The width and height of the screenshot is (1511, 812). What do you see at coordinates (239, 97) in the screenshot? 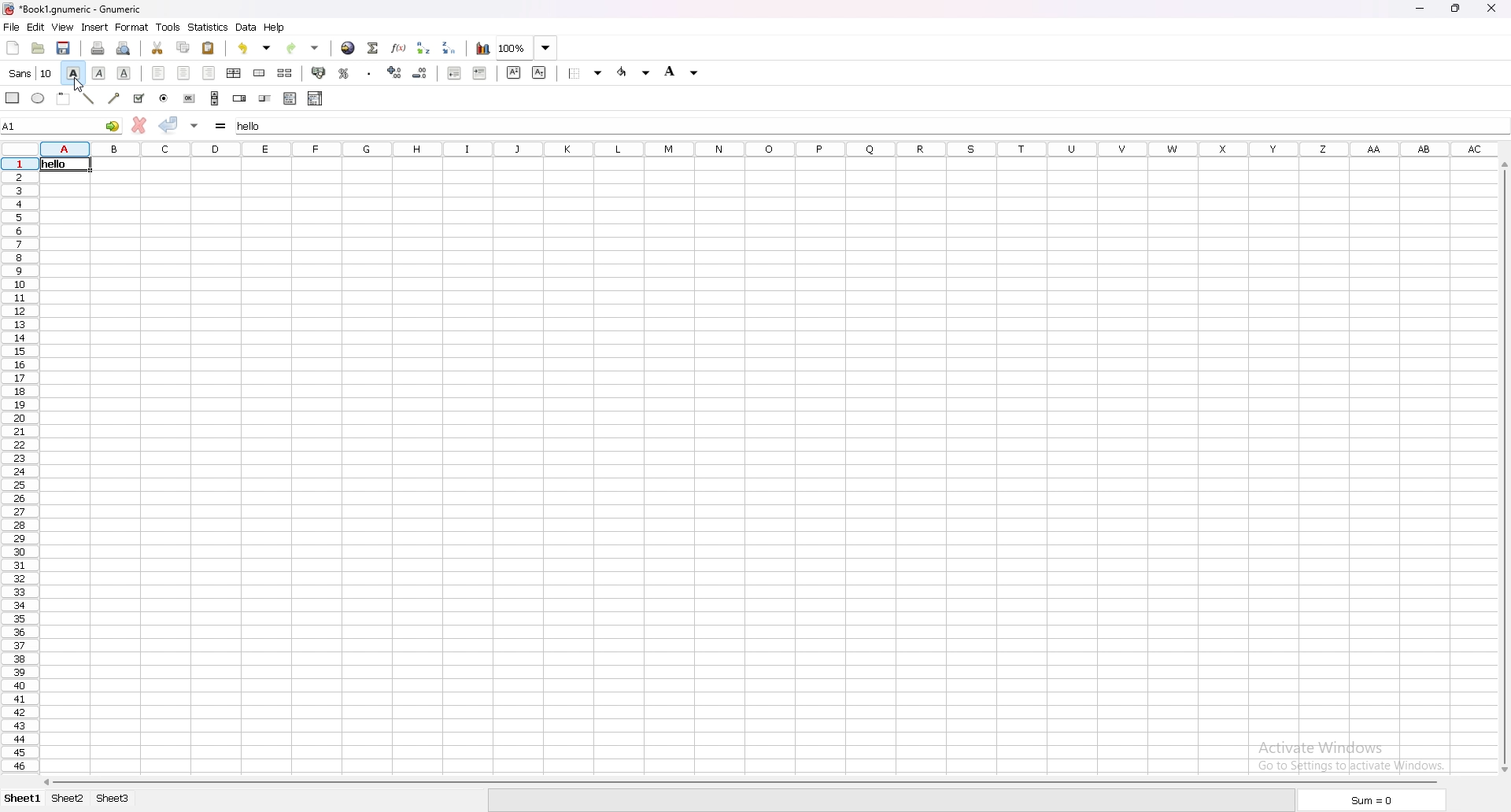
I see `spin button` at bounding box center [239, 97].